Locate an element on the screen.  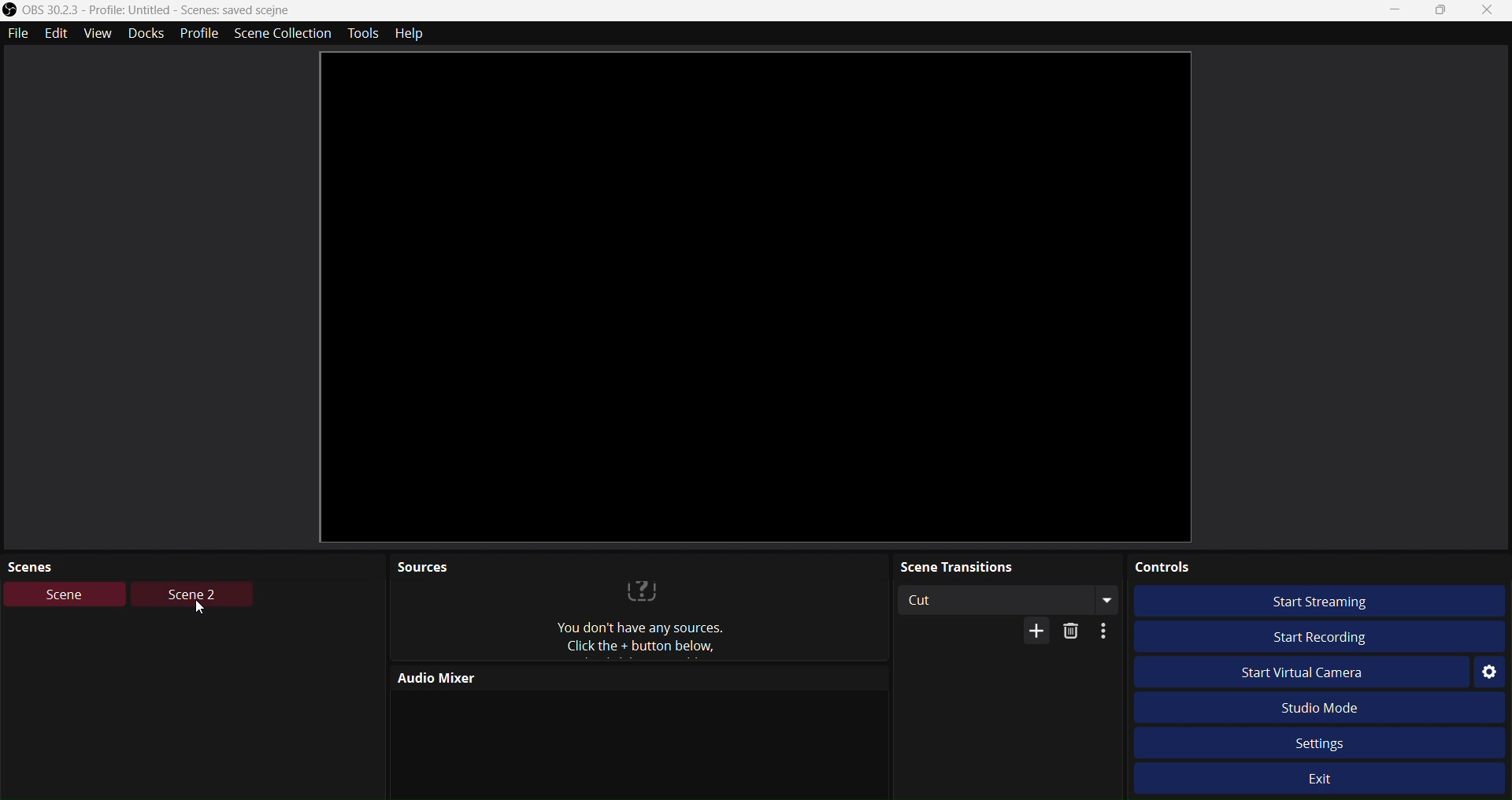
Sources is located at coordinates (665, 639).